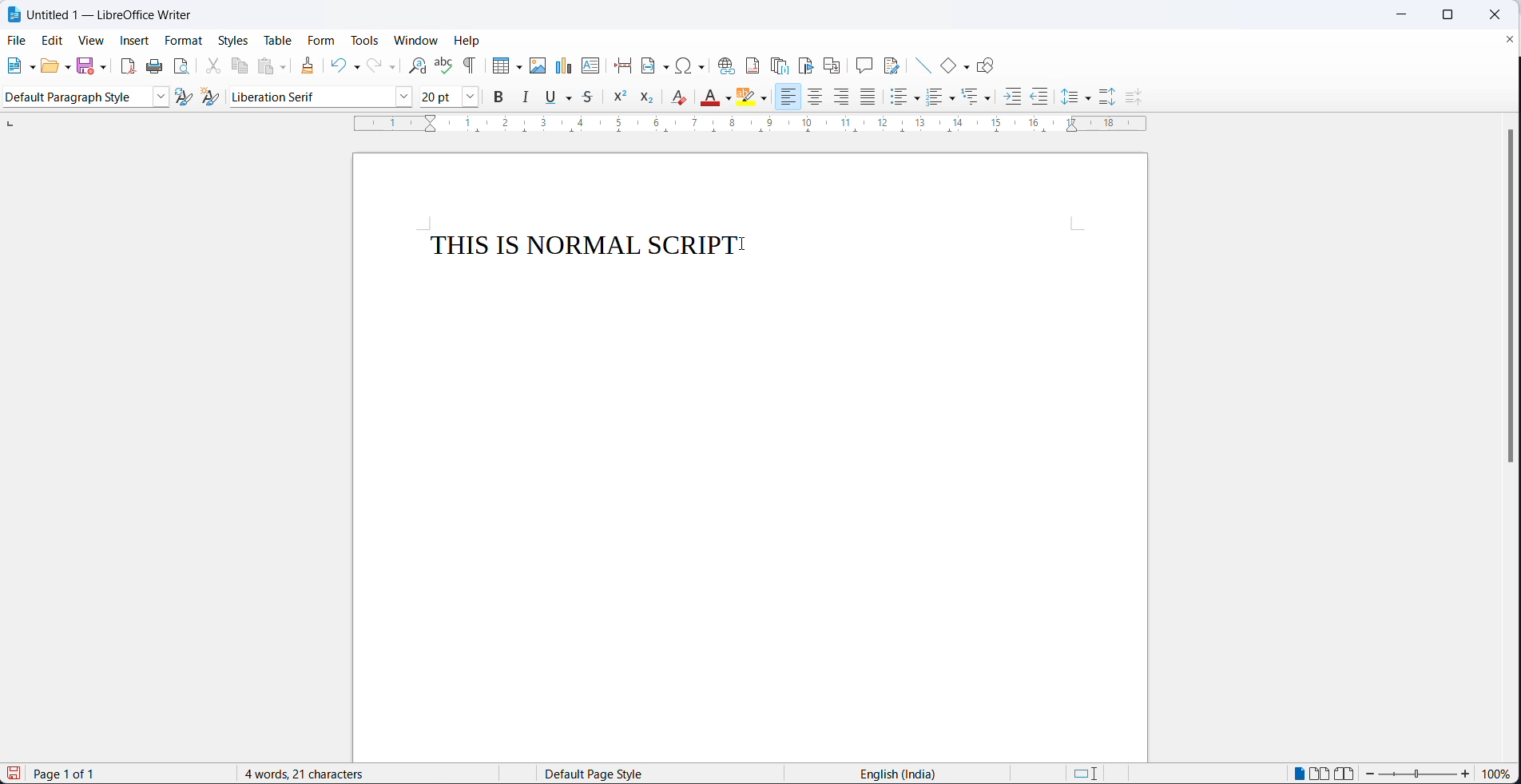 The width and height of the screenshot is (1521, 784). I want to click on cursor, so click(746, 242).